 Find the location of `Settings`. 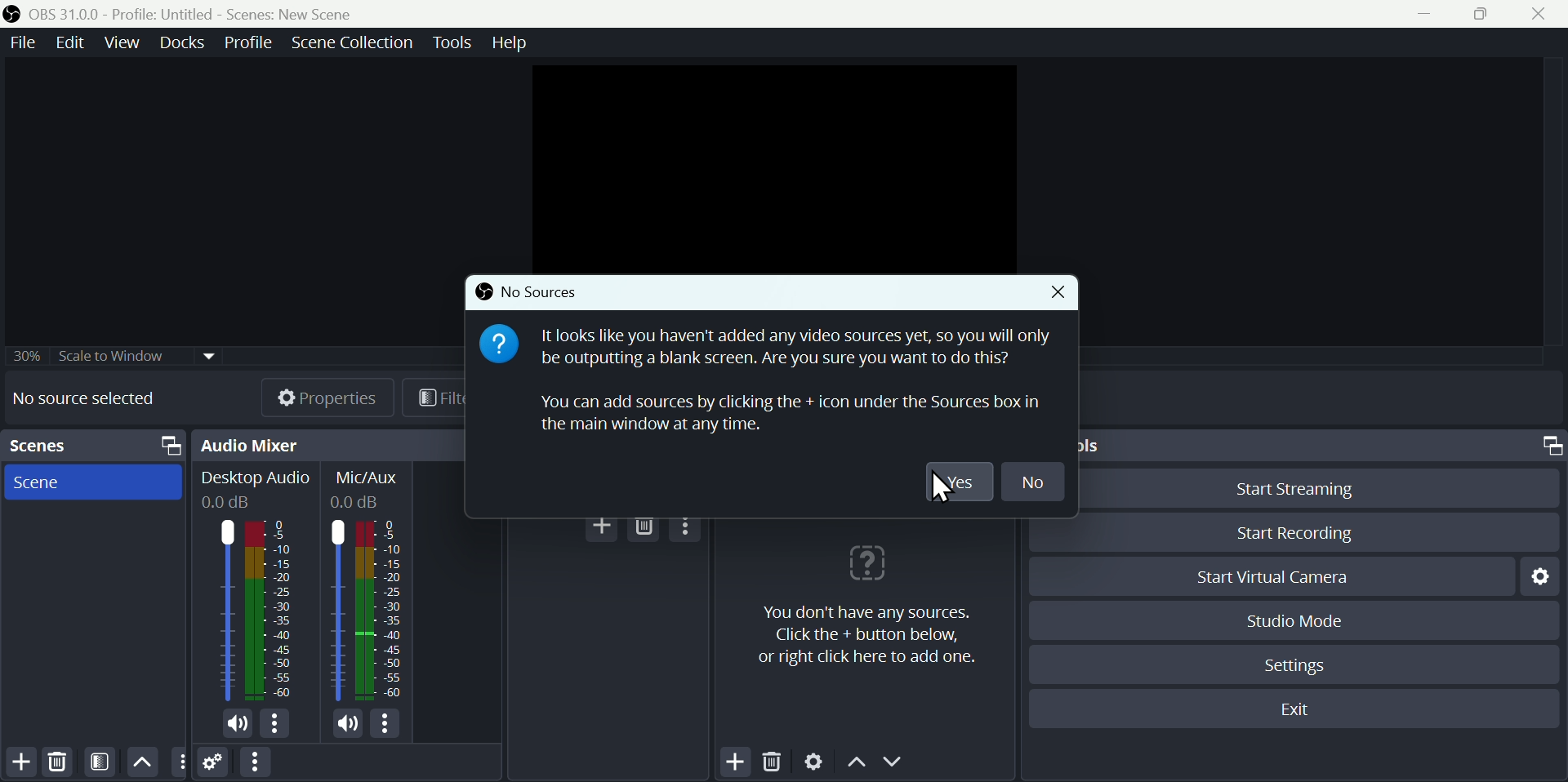

Settings is located at coordinates (1539, 579).